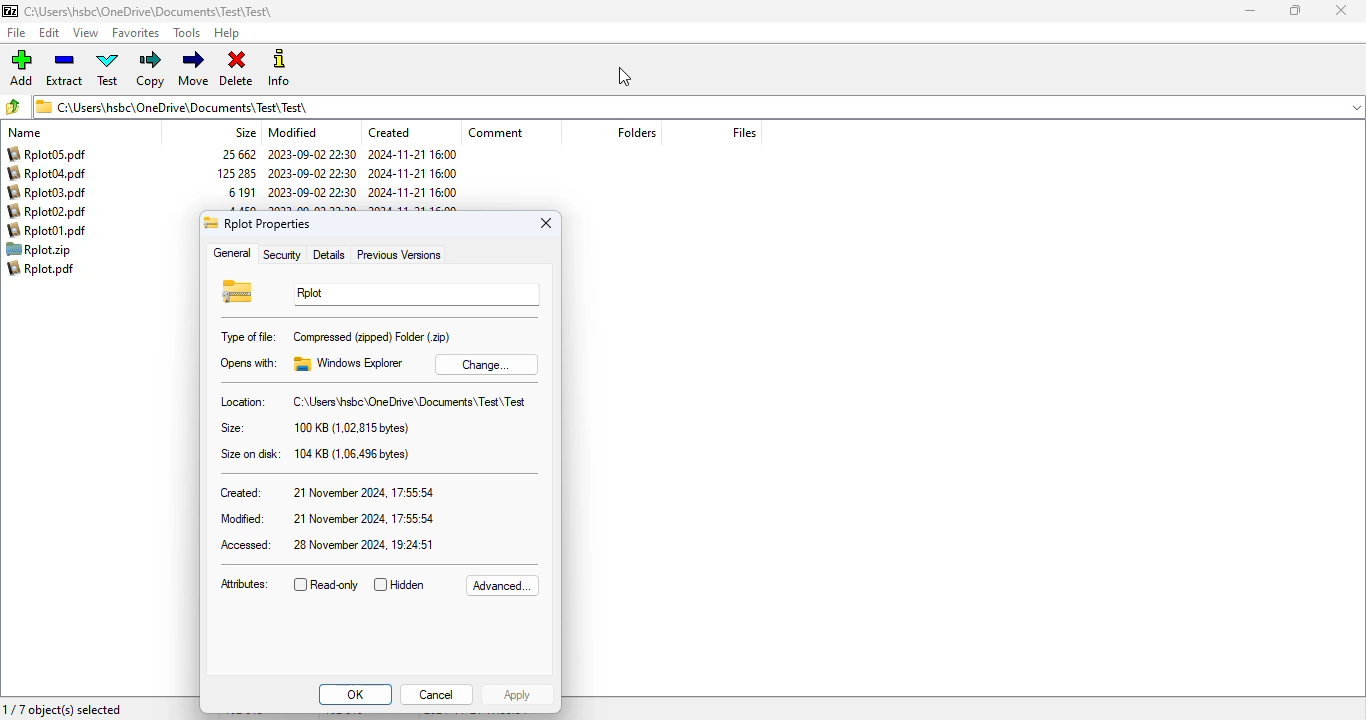  I want to click on tools, so click(187, 32).